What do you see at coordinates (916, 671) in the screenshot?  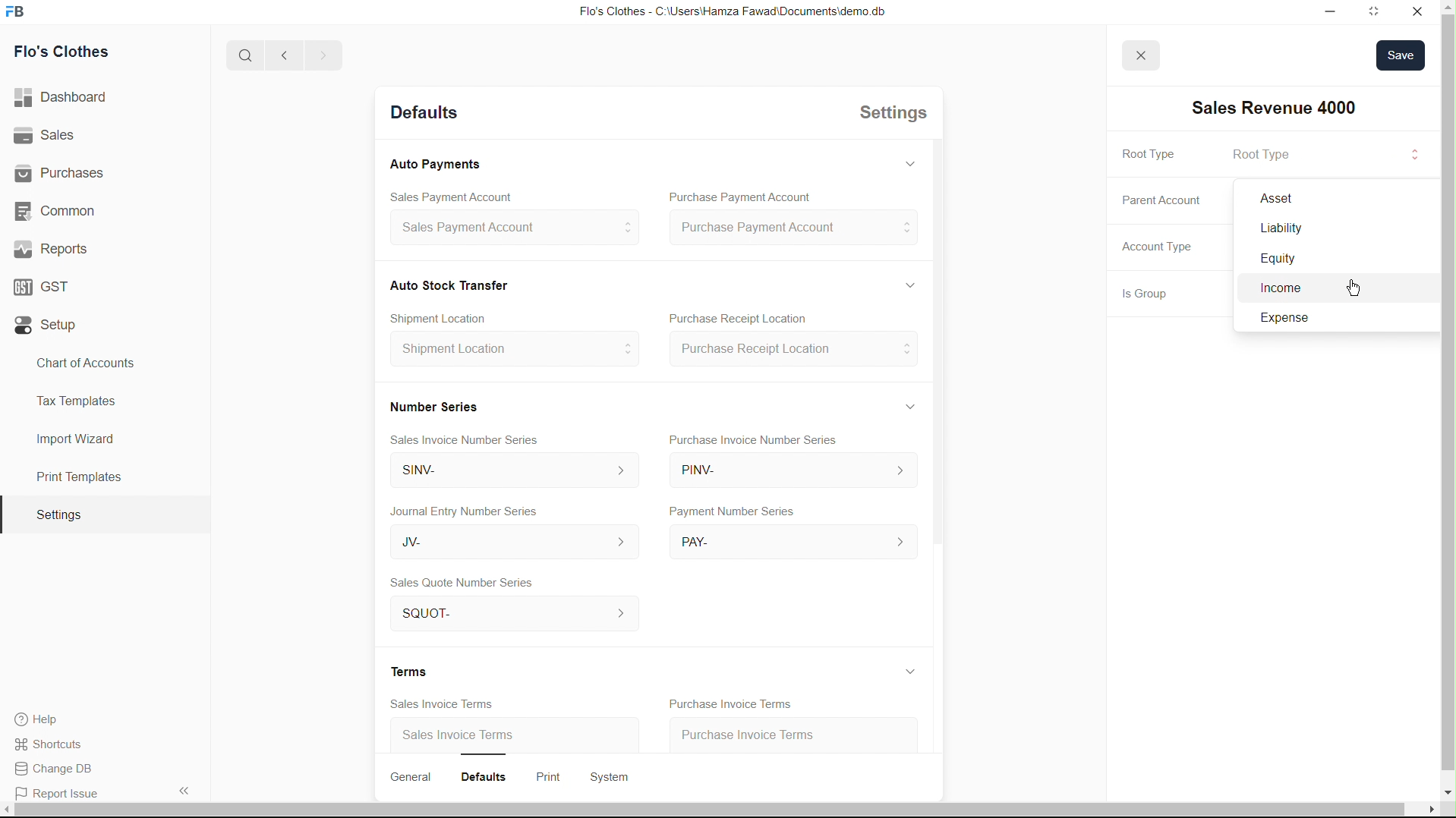 I see `Hide ` at bounding box center [916, 671].